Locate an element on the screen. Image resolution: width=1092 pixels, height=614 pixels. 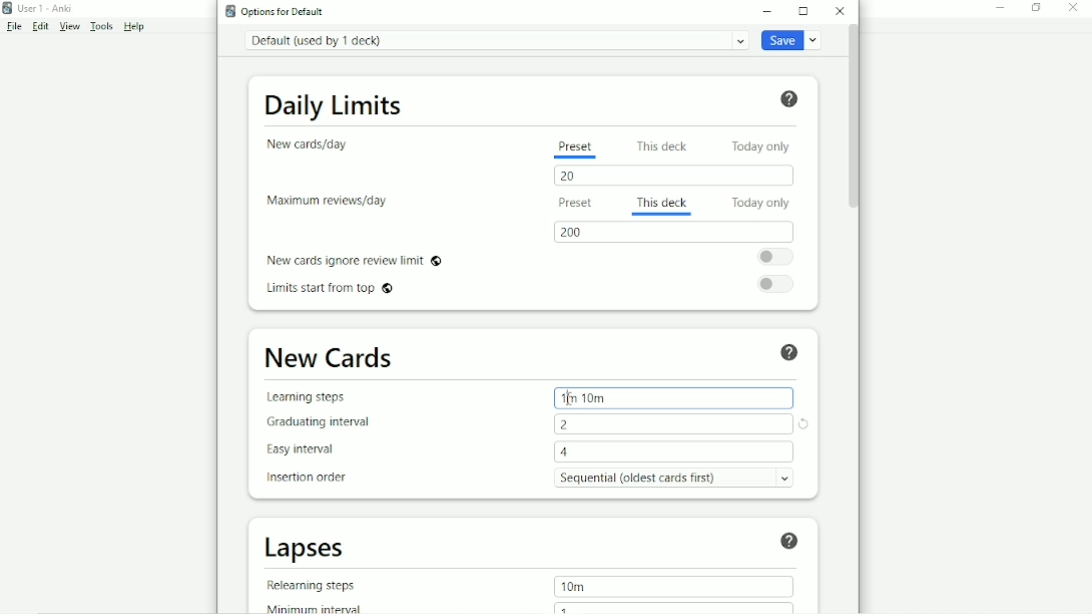
Help is located at coordinates (135, 27).